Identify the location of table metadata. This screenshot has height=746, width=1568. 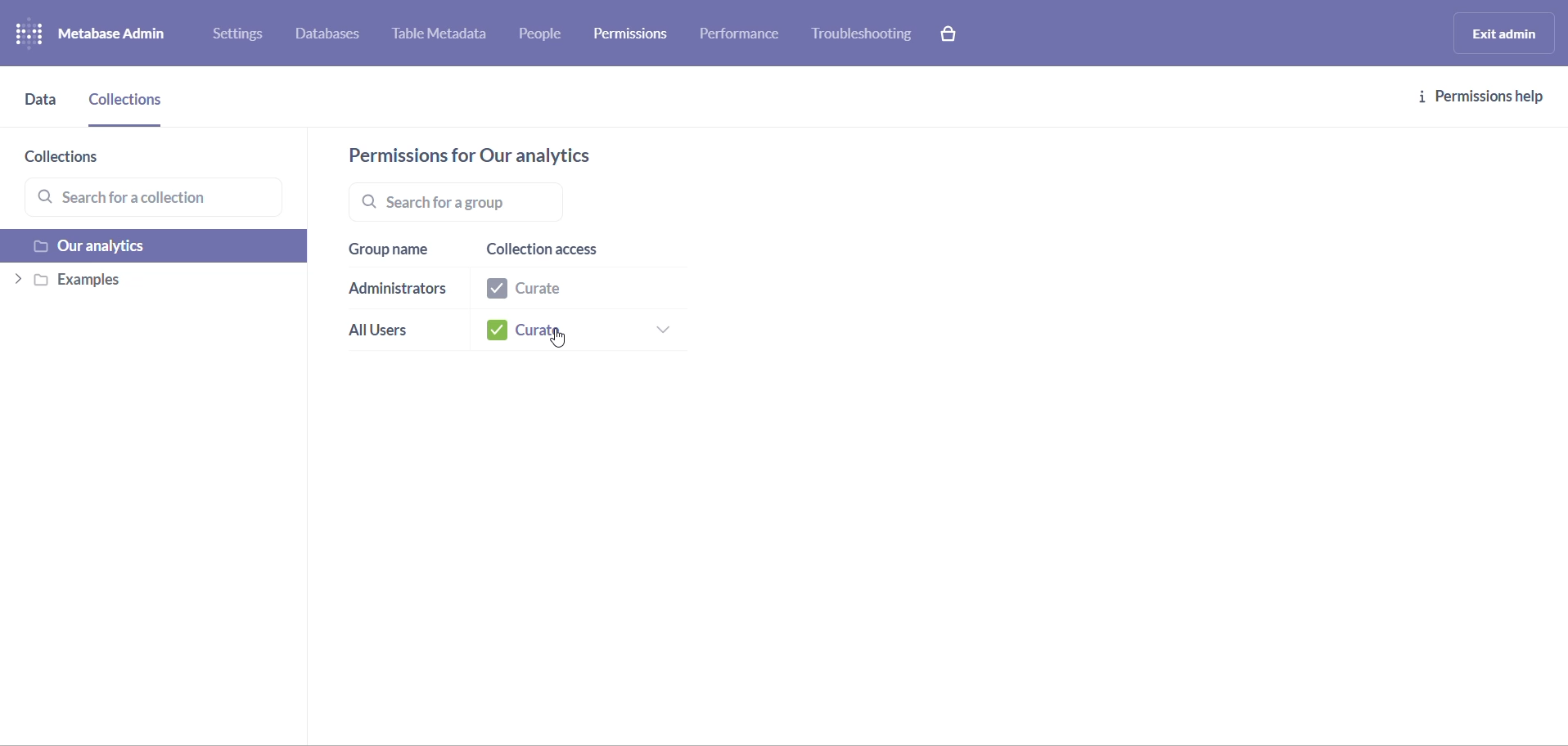
(447, 36).